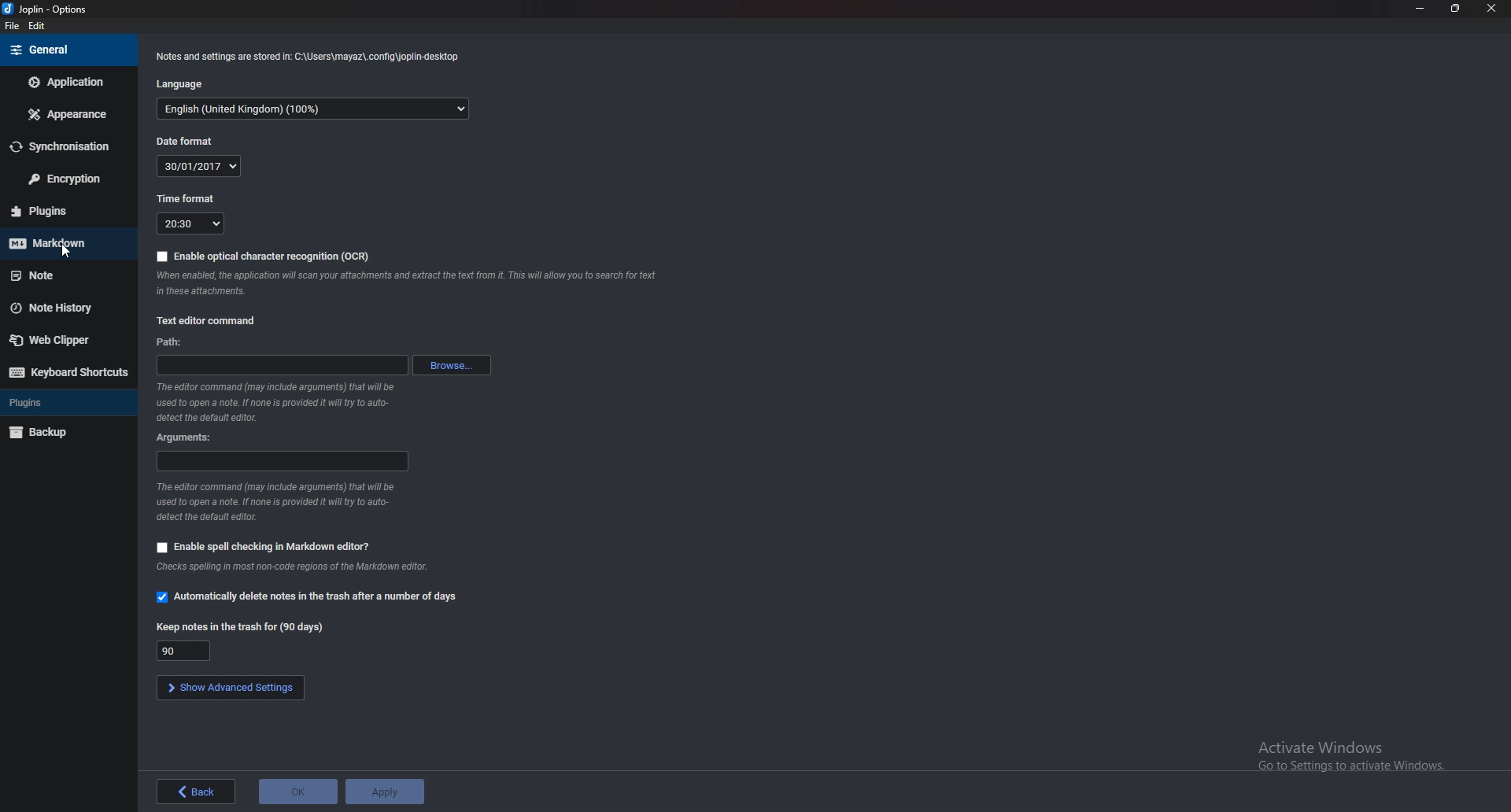 The image size is (1511, 812). I want to click on path, so click(284, 365).